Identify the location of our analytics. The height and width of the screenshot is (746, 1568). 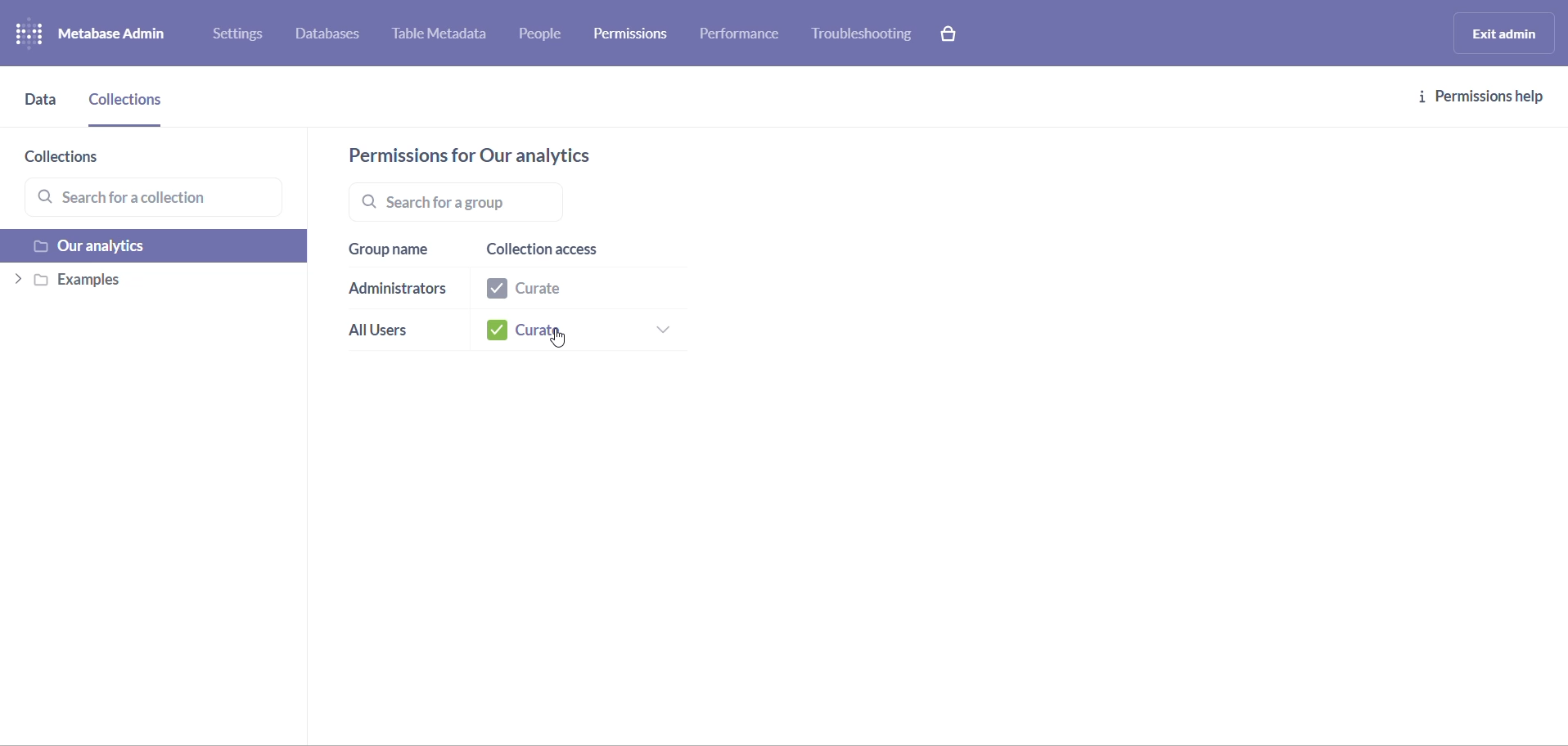
(156, 248).